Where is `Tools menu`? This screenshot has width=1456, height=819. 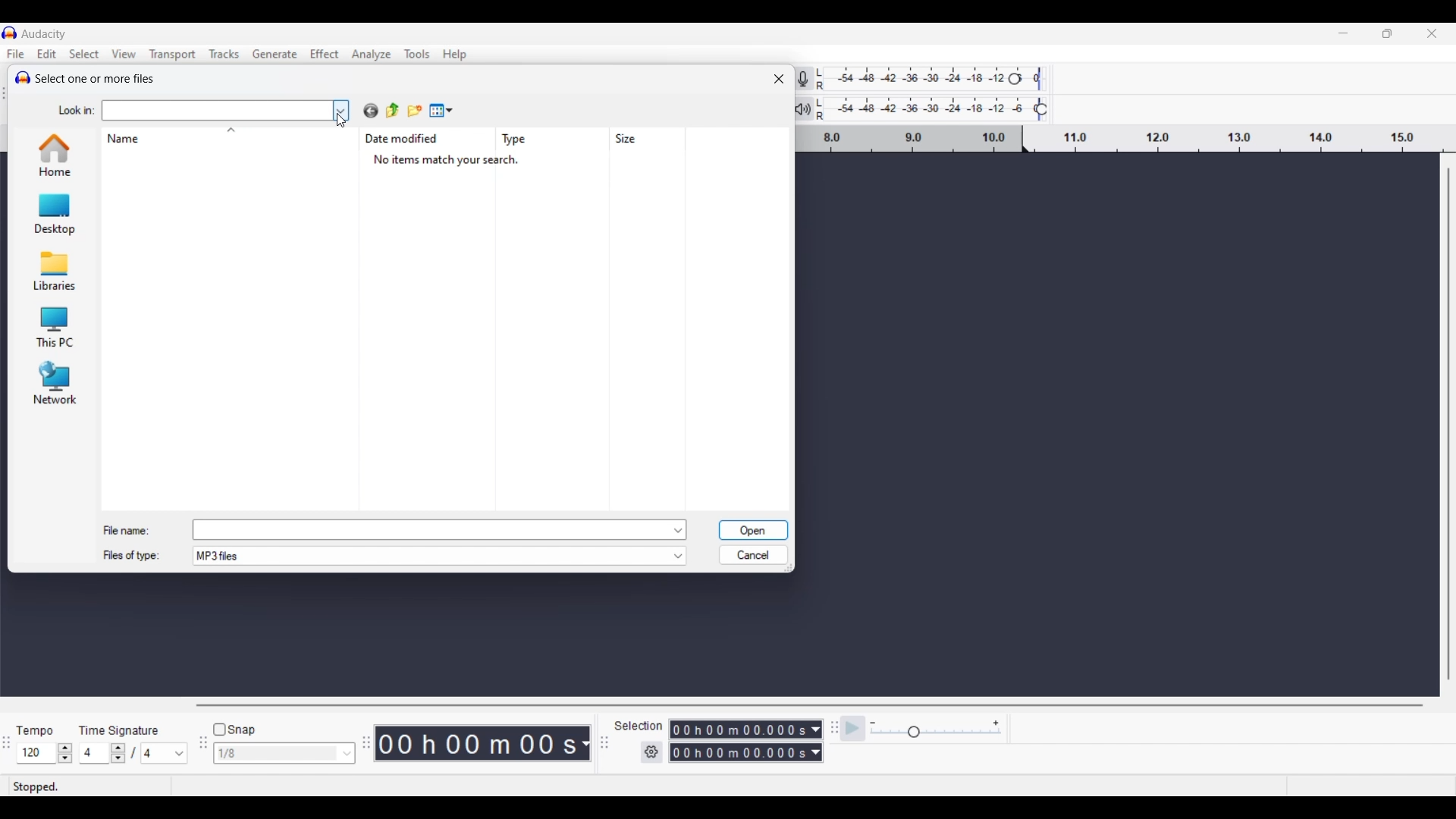
Tools menu is located at coordinates (418, 55).